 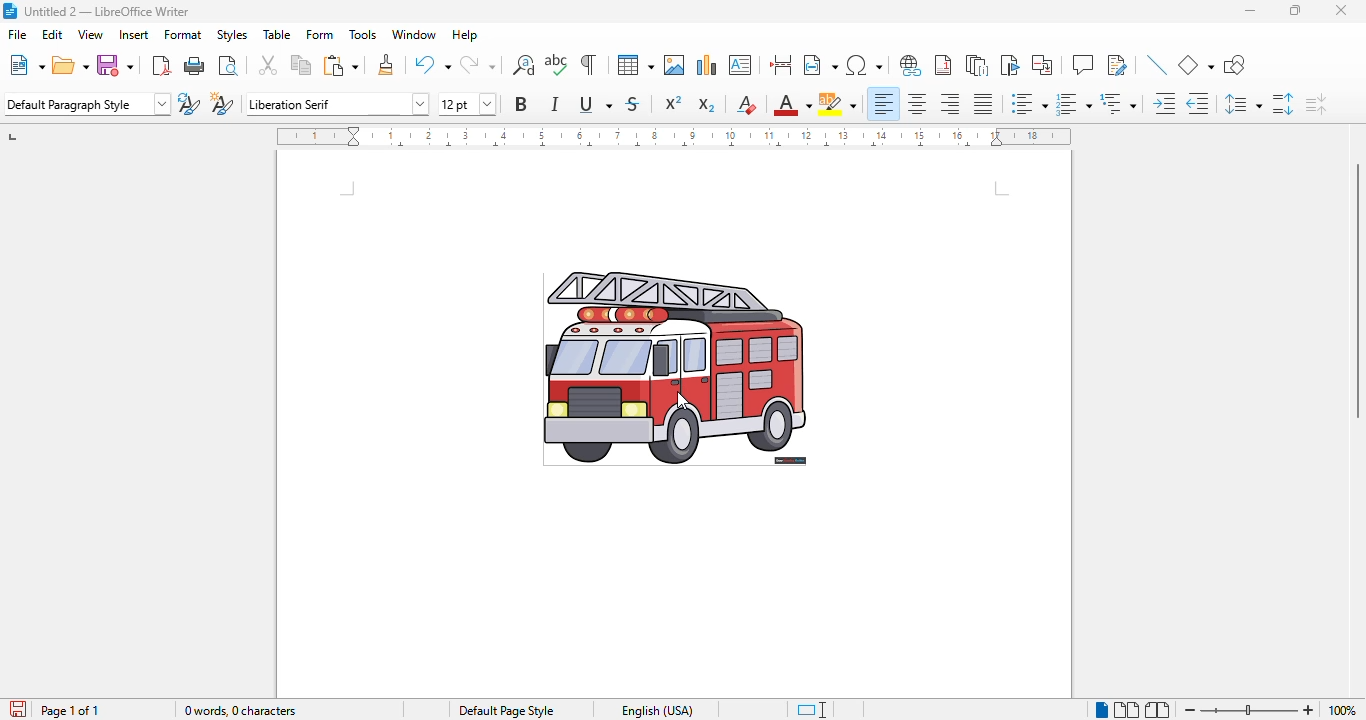 What do you see at coordinates (1157, 710) in the screenshot?
I see `book view` at bounding box center [1157, 710].